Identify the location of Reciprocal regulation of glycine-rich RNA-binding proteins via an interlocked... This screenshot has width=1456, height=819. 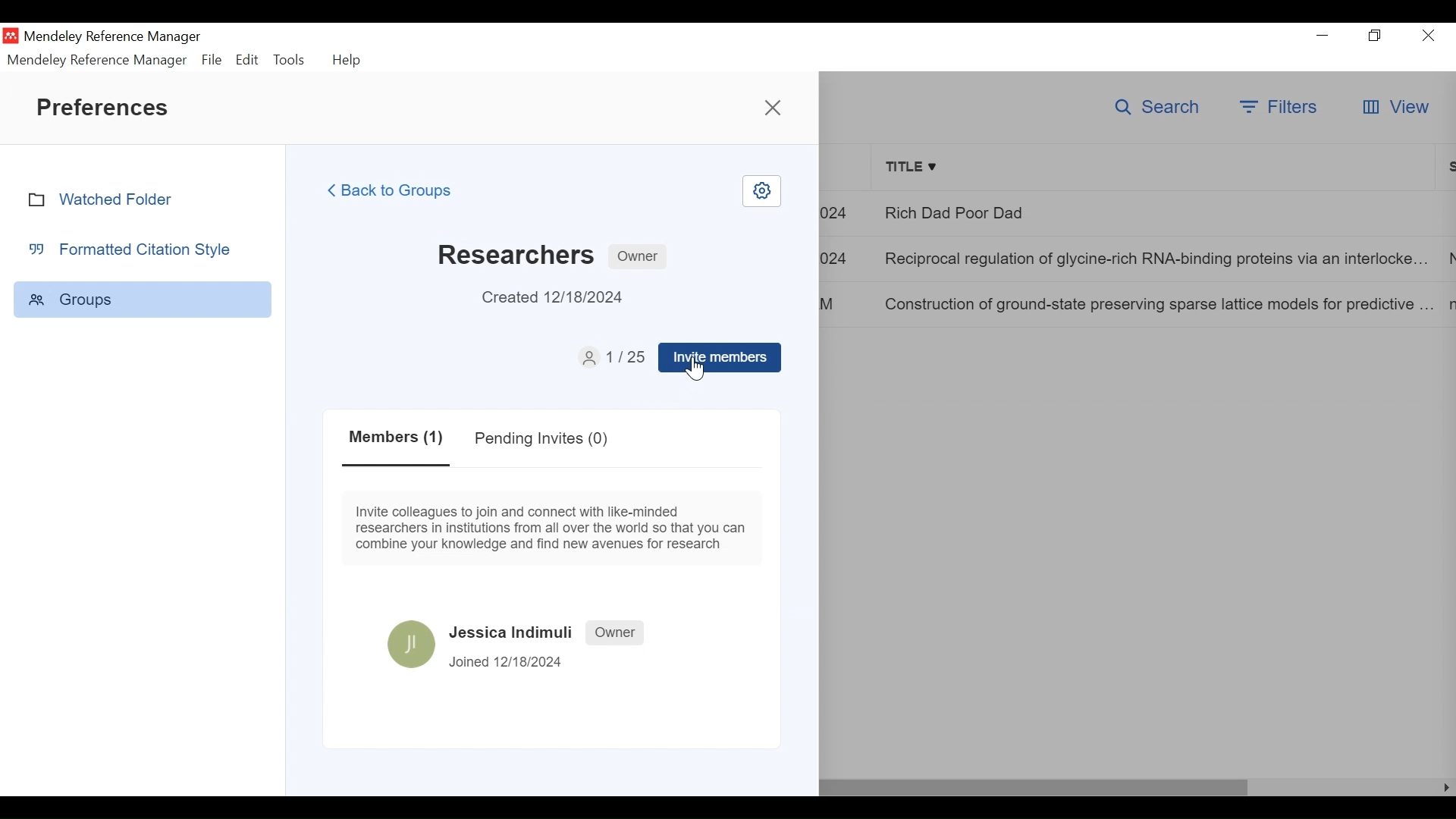
(1159, 257).